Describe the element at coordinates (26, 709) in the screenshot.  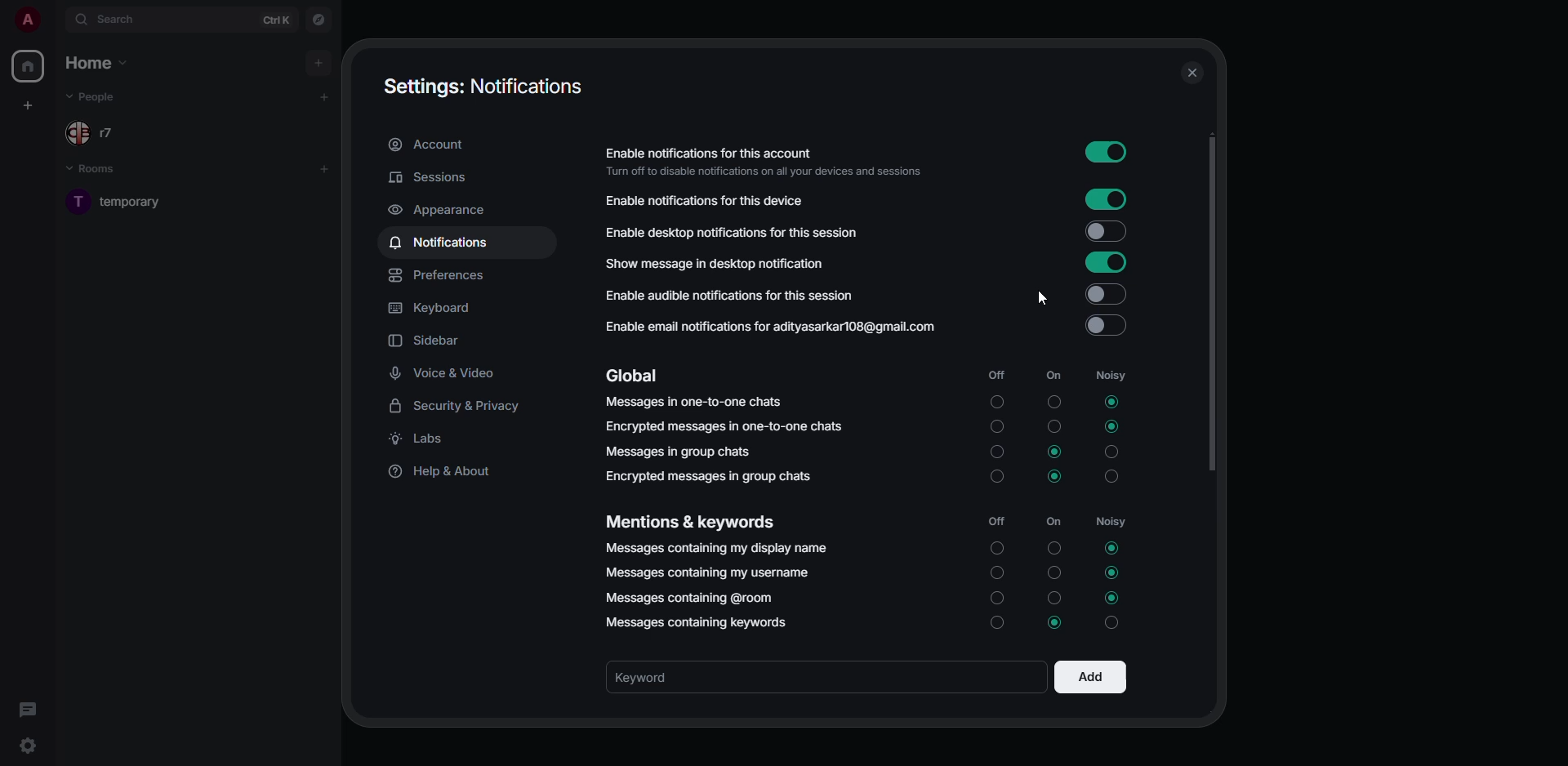
I see `threads` at that location.